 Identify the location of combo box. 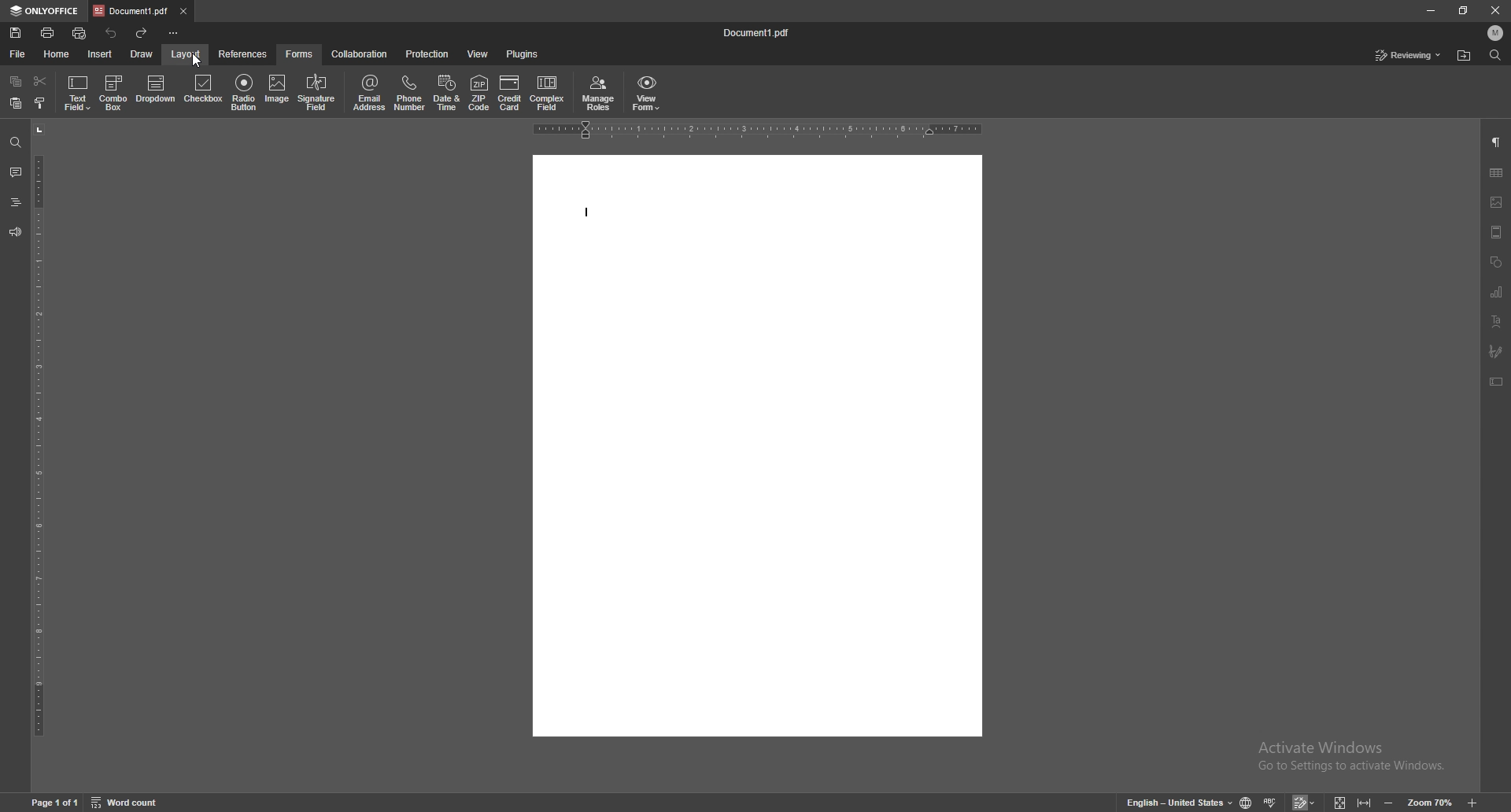
(114, 92).